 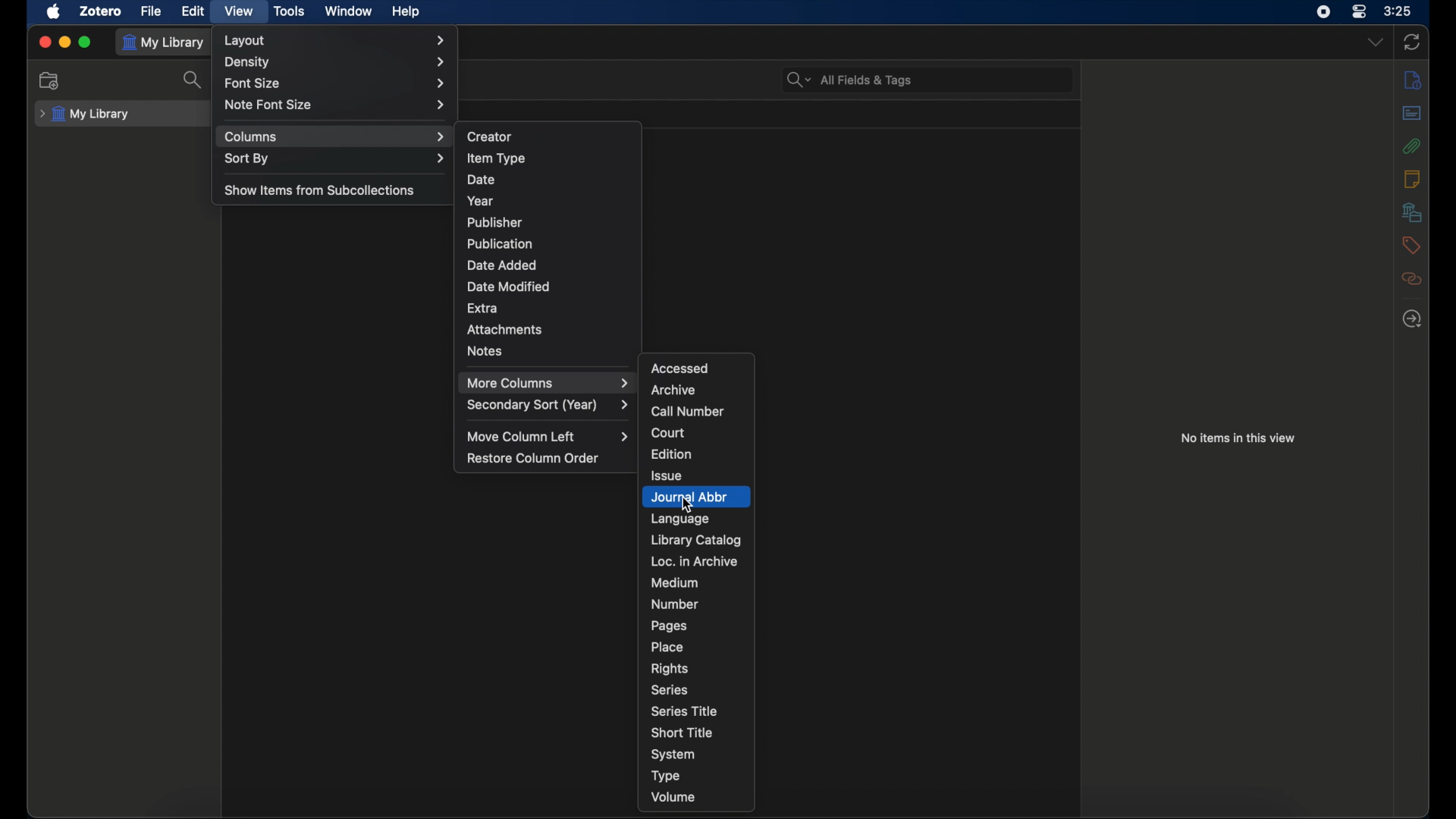 What do you see at coordinates (511, 287) in the screenshot?
I see `date modified` at bounding box center [511, 287].